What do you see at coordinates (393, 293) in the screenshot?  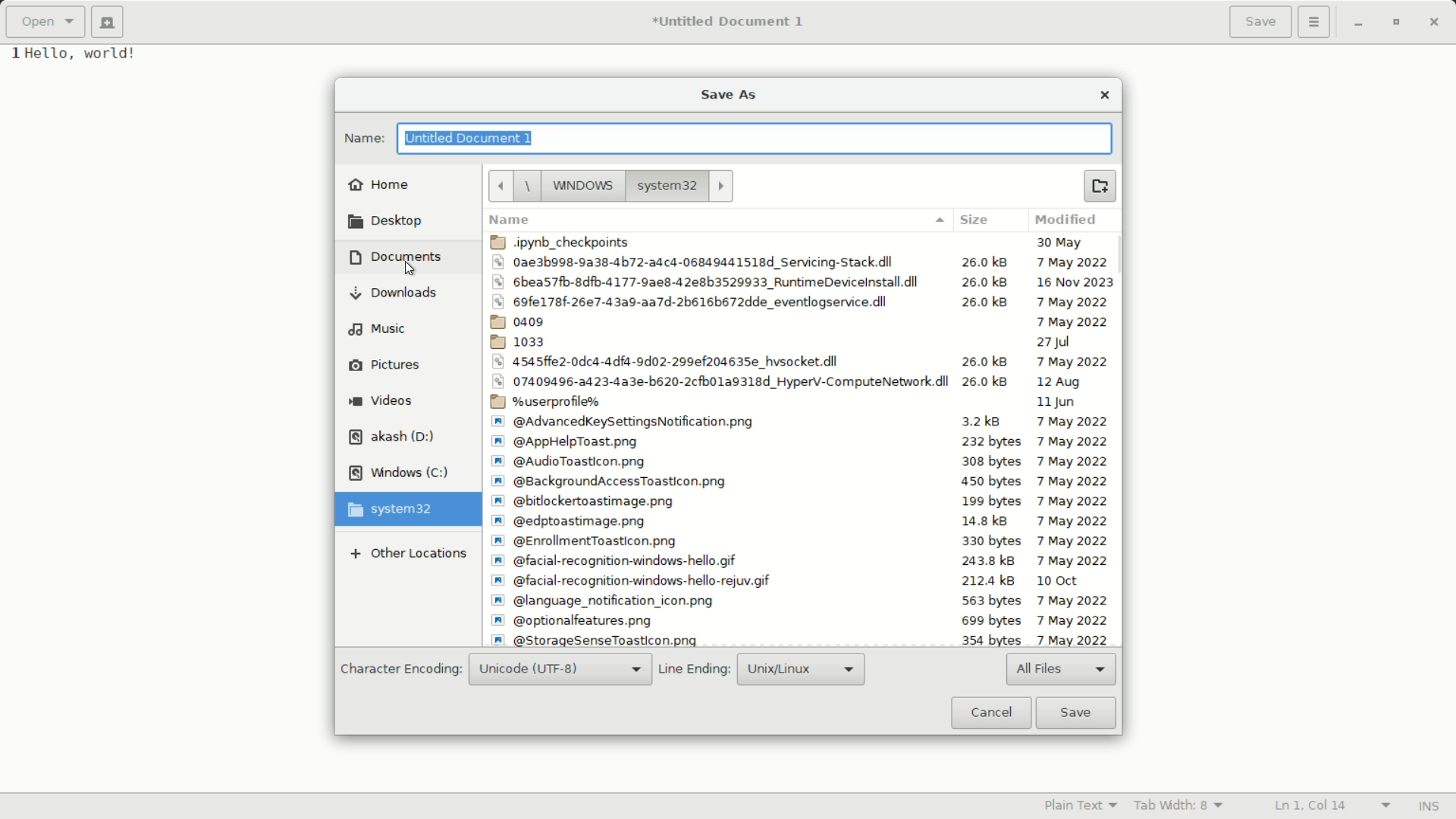 I see `downloads` at bounding box center [393, 293].